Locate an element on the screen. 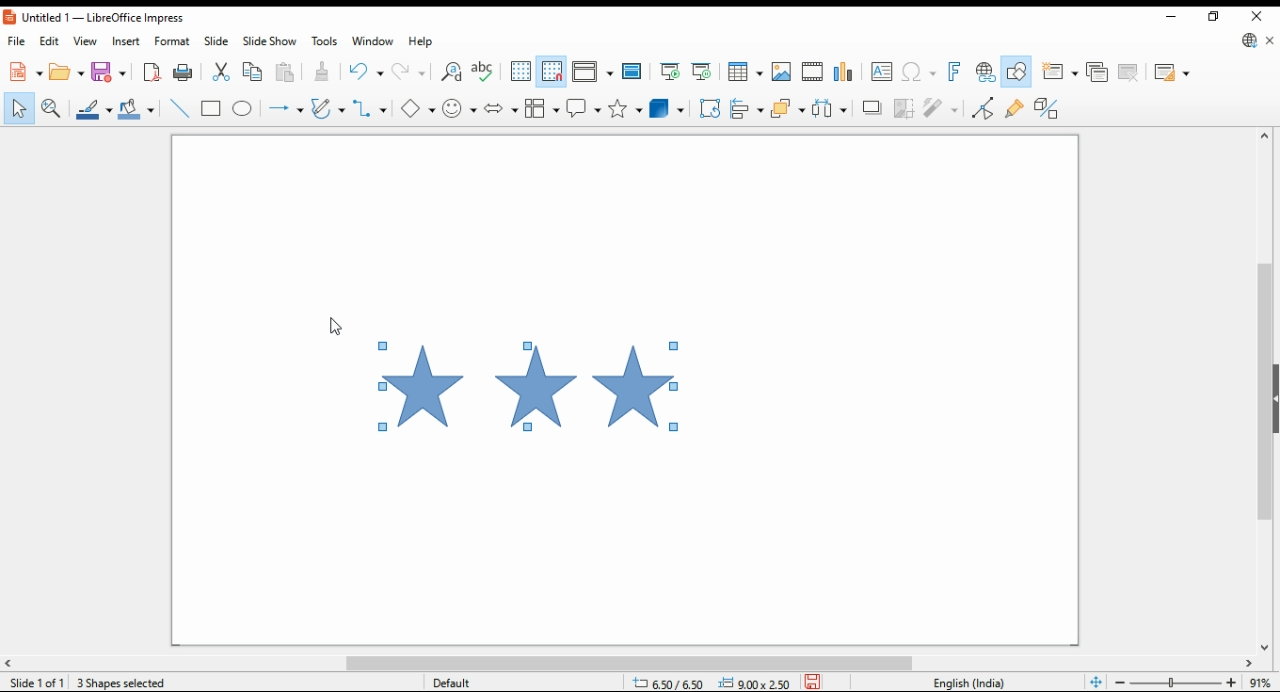 The width and height of the screenshot is (1280, 692). language is located at coordinates (974, 682).